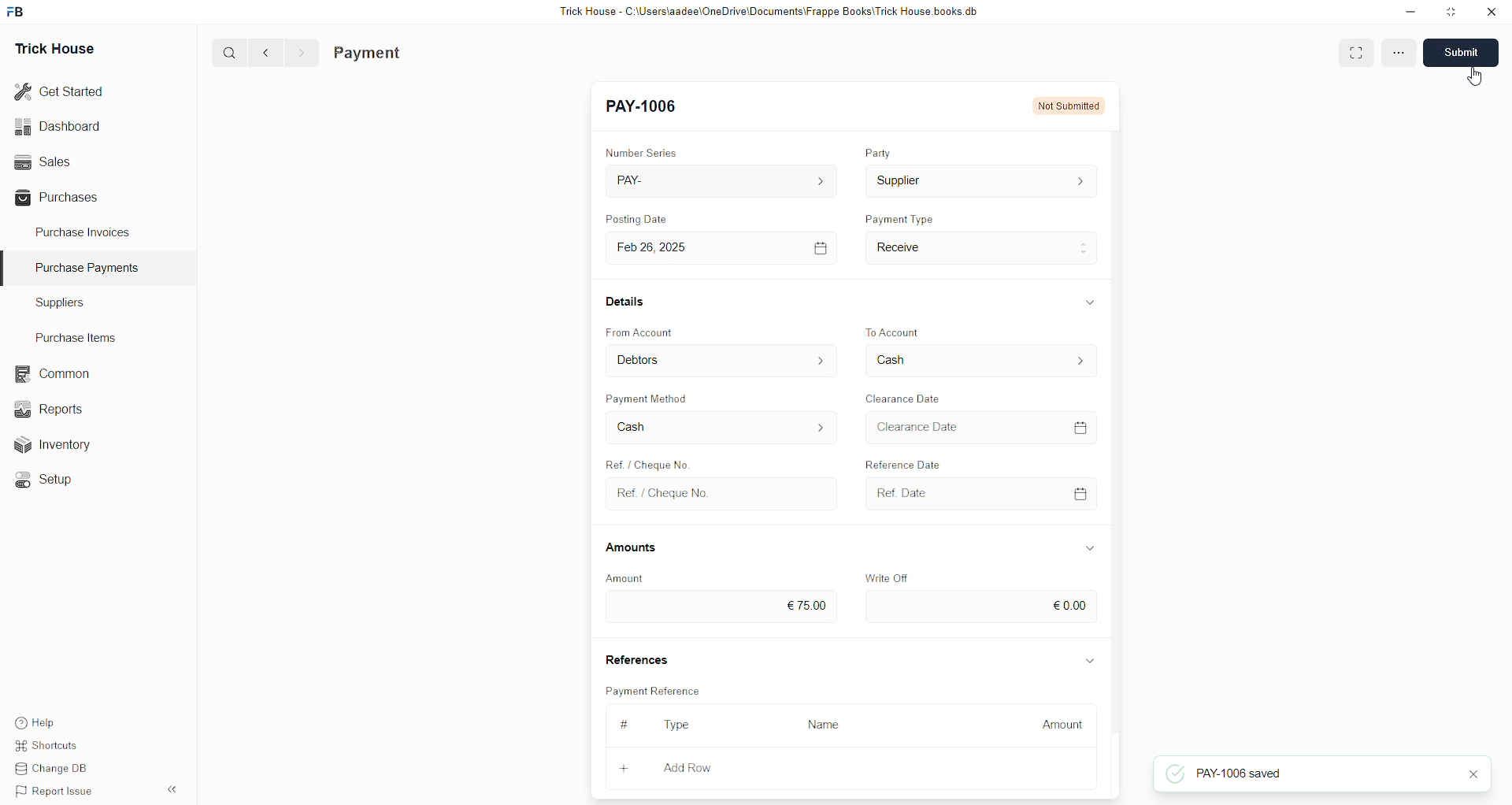 The image size is (1512, 805). I want to click on Setup, so click(43, 478).